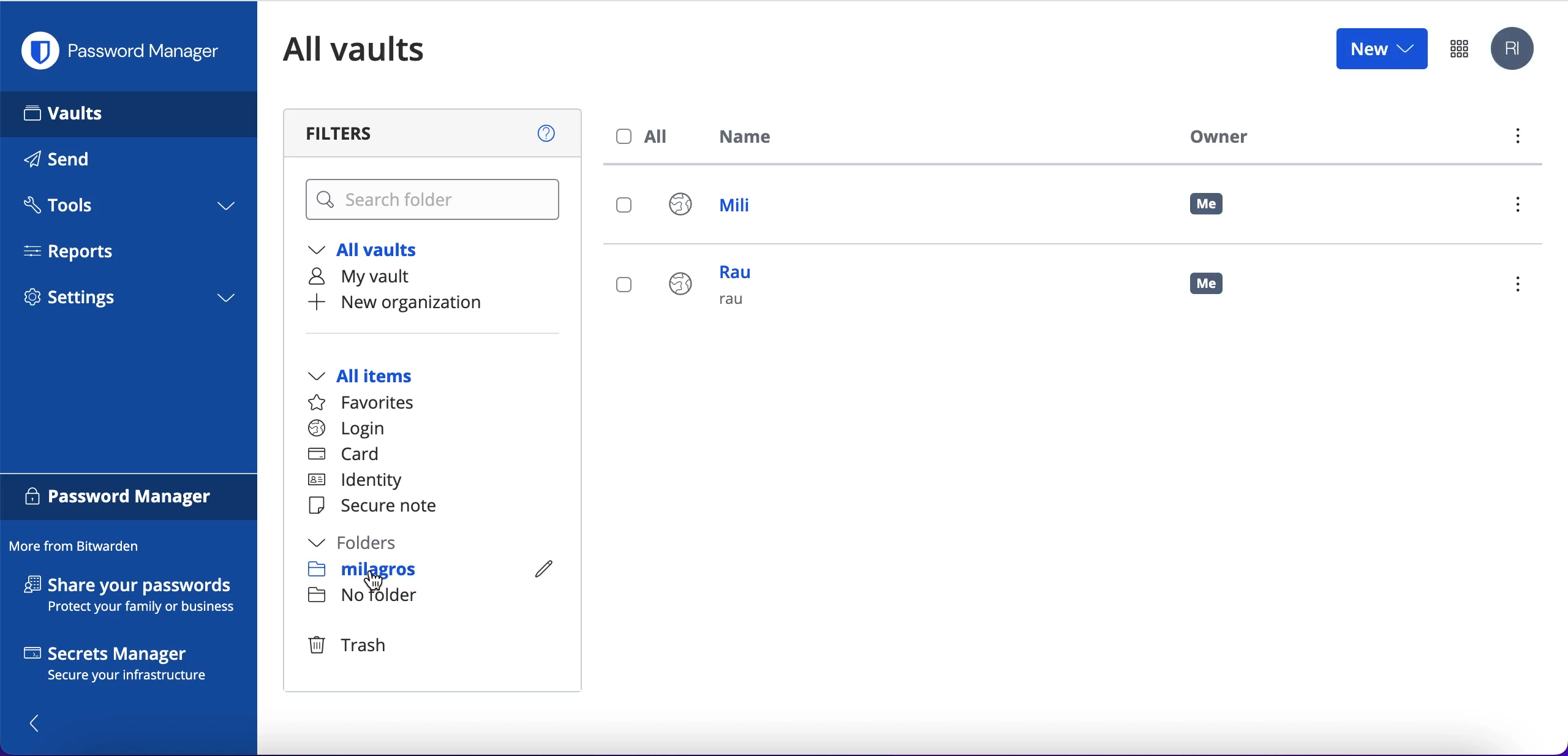 The width and height of the screenshot is (1568, 756). I want to click on owner, so click(1215, 136).